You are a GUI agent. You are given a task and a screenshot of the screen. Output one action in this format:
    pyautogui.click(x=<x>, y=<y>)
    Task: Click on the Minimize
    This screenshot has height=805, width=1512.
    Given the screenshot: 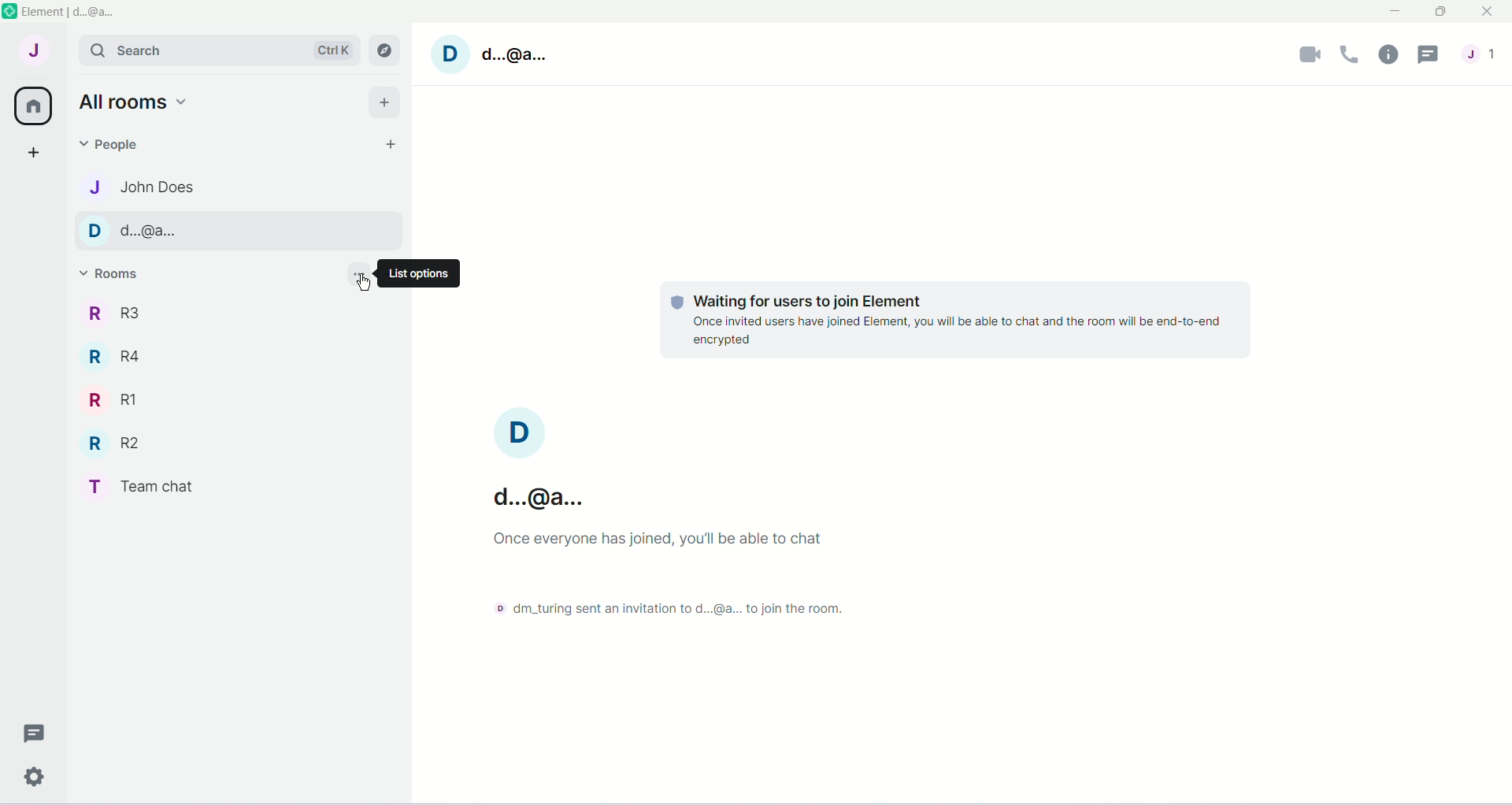 What is the action you would take?
    pyautogui.click(x=1392, y=14)
    